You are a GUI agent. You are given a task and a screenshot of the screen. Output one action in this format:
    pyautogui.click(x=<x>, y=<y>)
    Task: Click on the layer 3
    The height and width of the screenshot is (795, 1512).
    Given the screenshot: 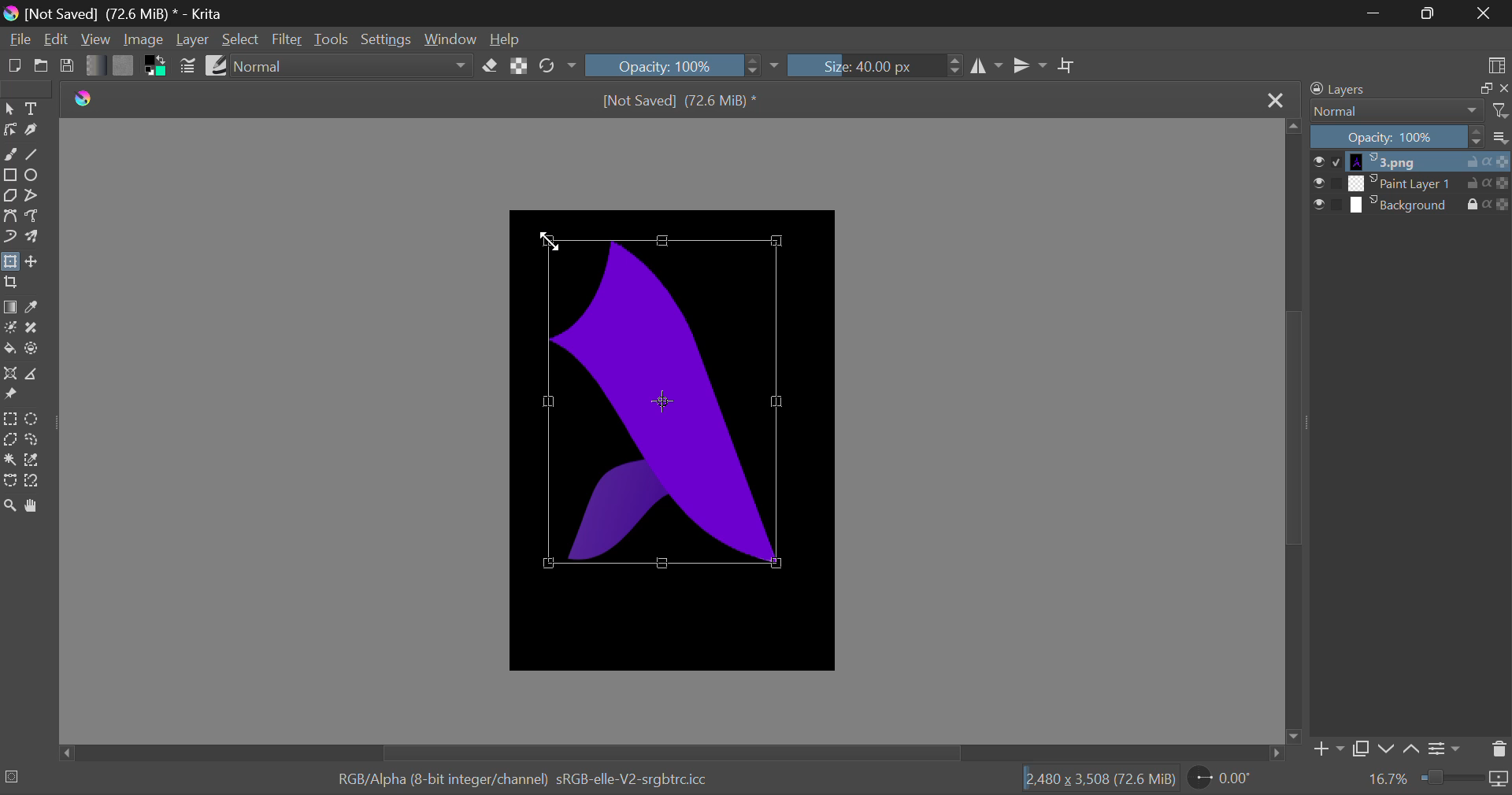 What is the action you would take?
    pyautogui.click(x=1401, y=203)
    